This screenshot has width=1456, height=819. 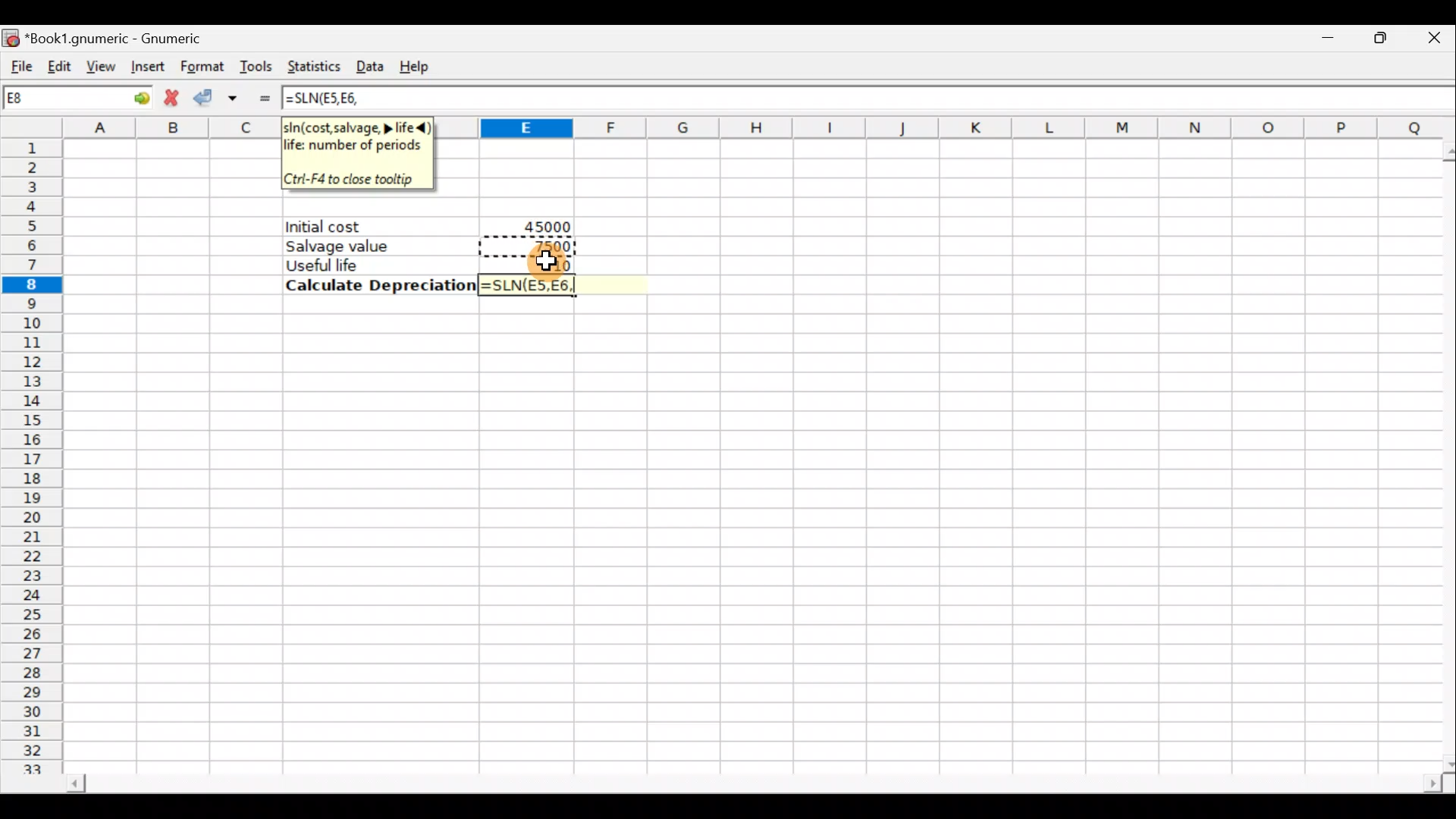 What do you see at coordinates (219, 96) in the screenshot?
I see `Accept change` at bounding box center [219, 96].